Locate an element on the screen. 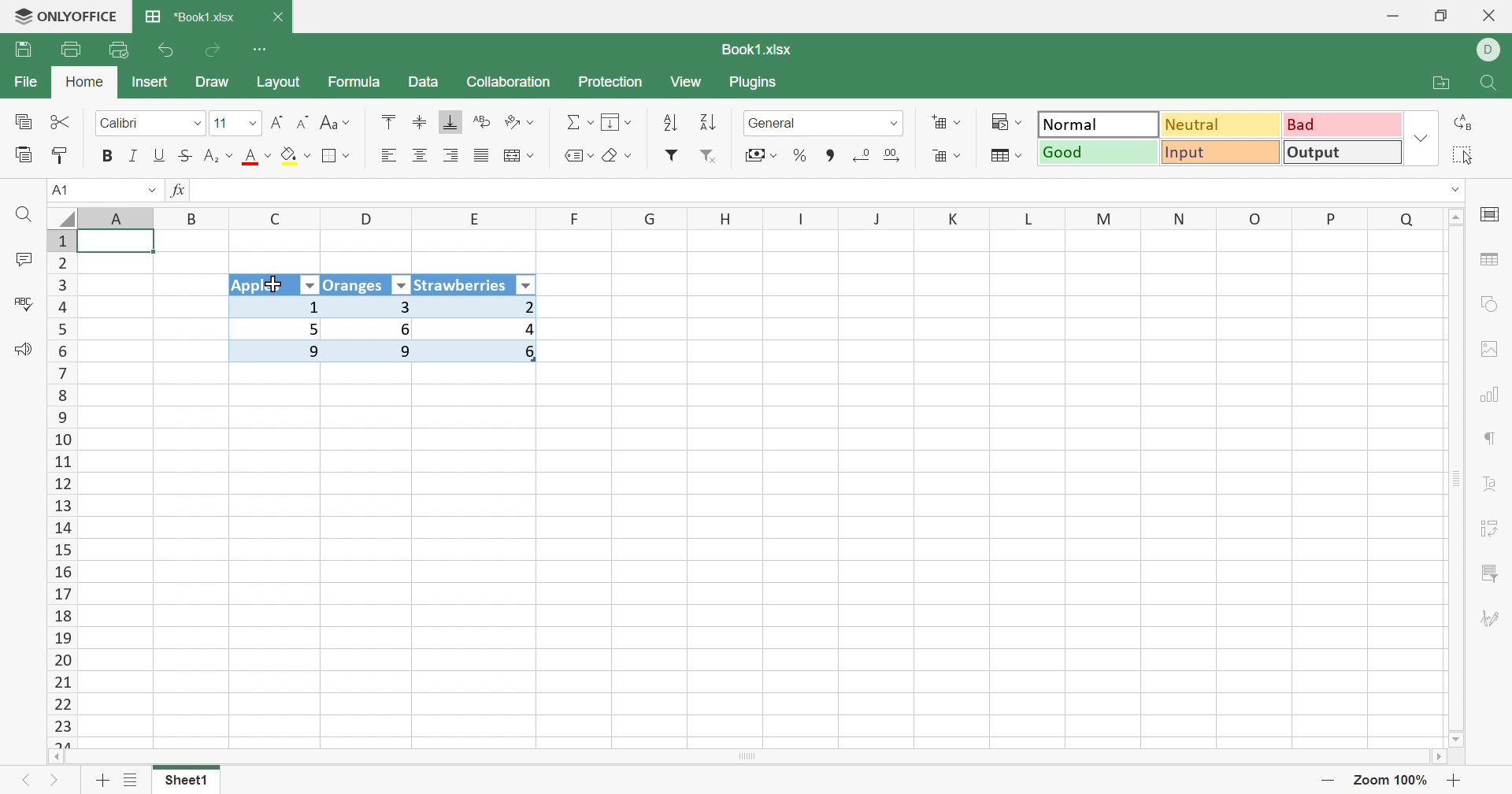 This screenshot has height=794, width=1512. Row numbers is located at coordinates (65, 488).